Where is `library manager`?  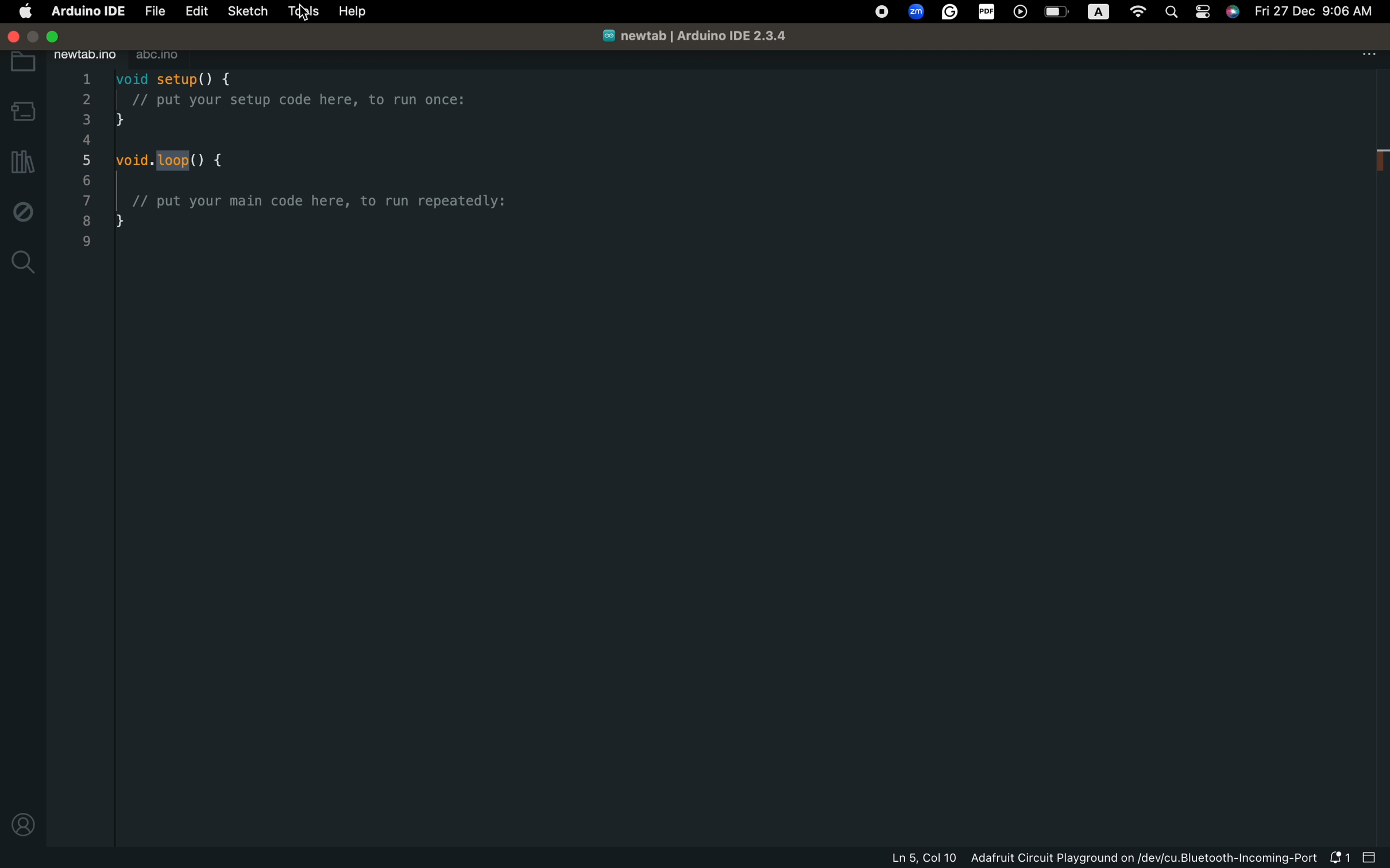
library manager is located at coordinates (24, 162).